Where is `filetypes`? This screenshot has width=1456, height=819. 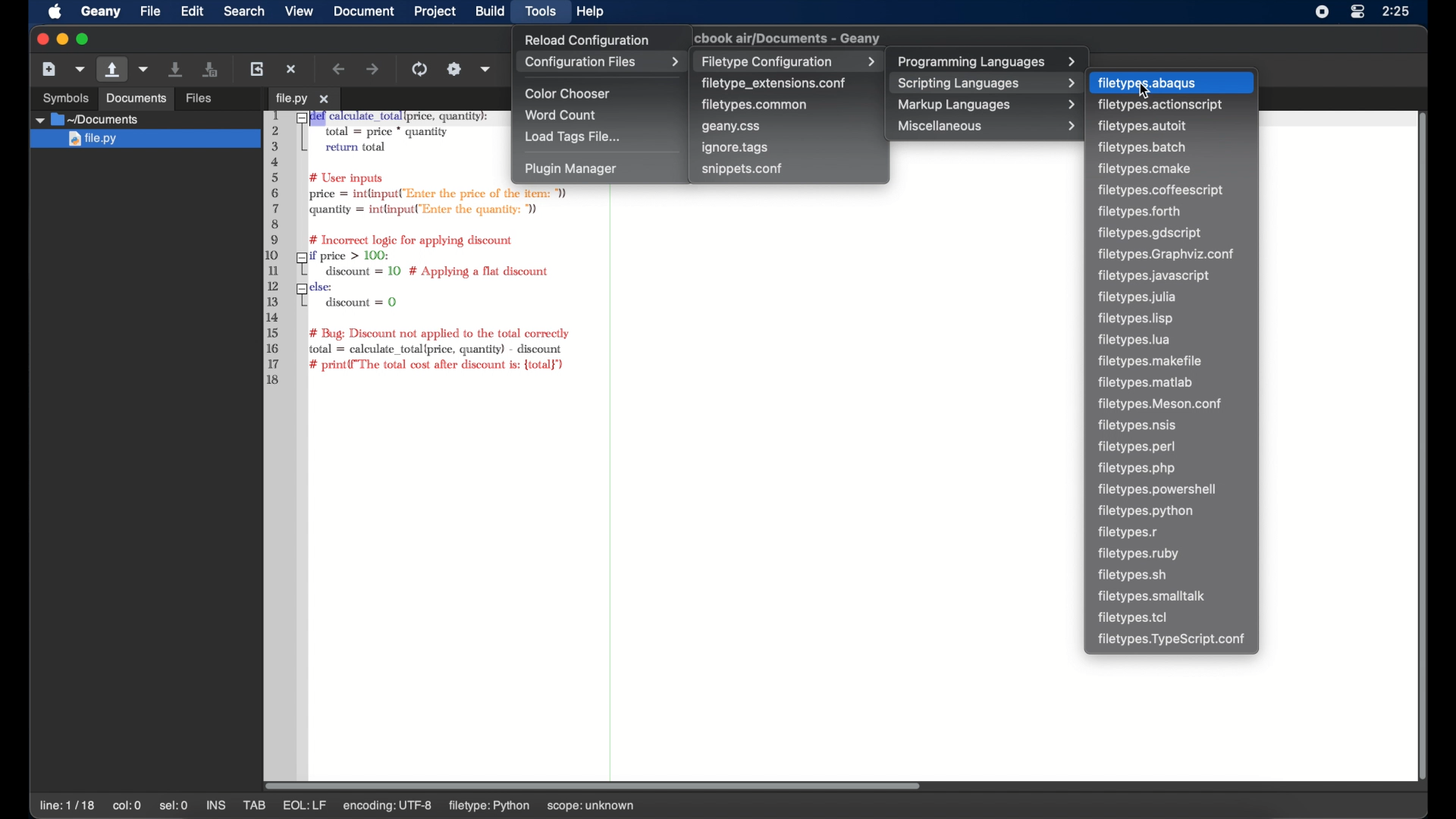 filetypes is located at coordinates (1163, 404).